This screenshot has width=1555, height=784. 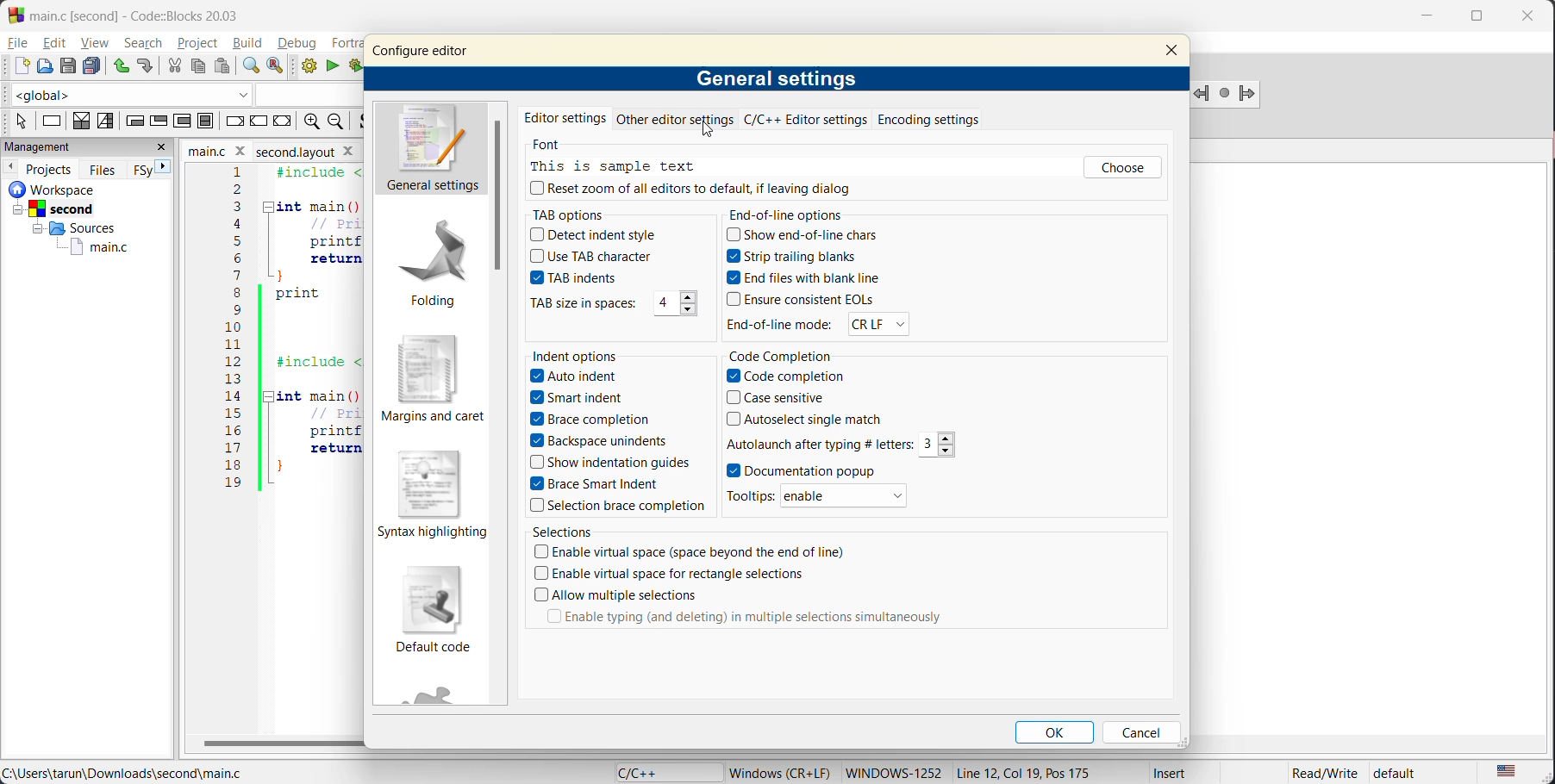 I want to click on new, so click(x=16, y=66).